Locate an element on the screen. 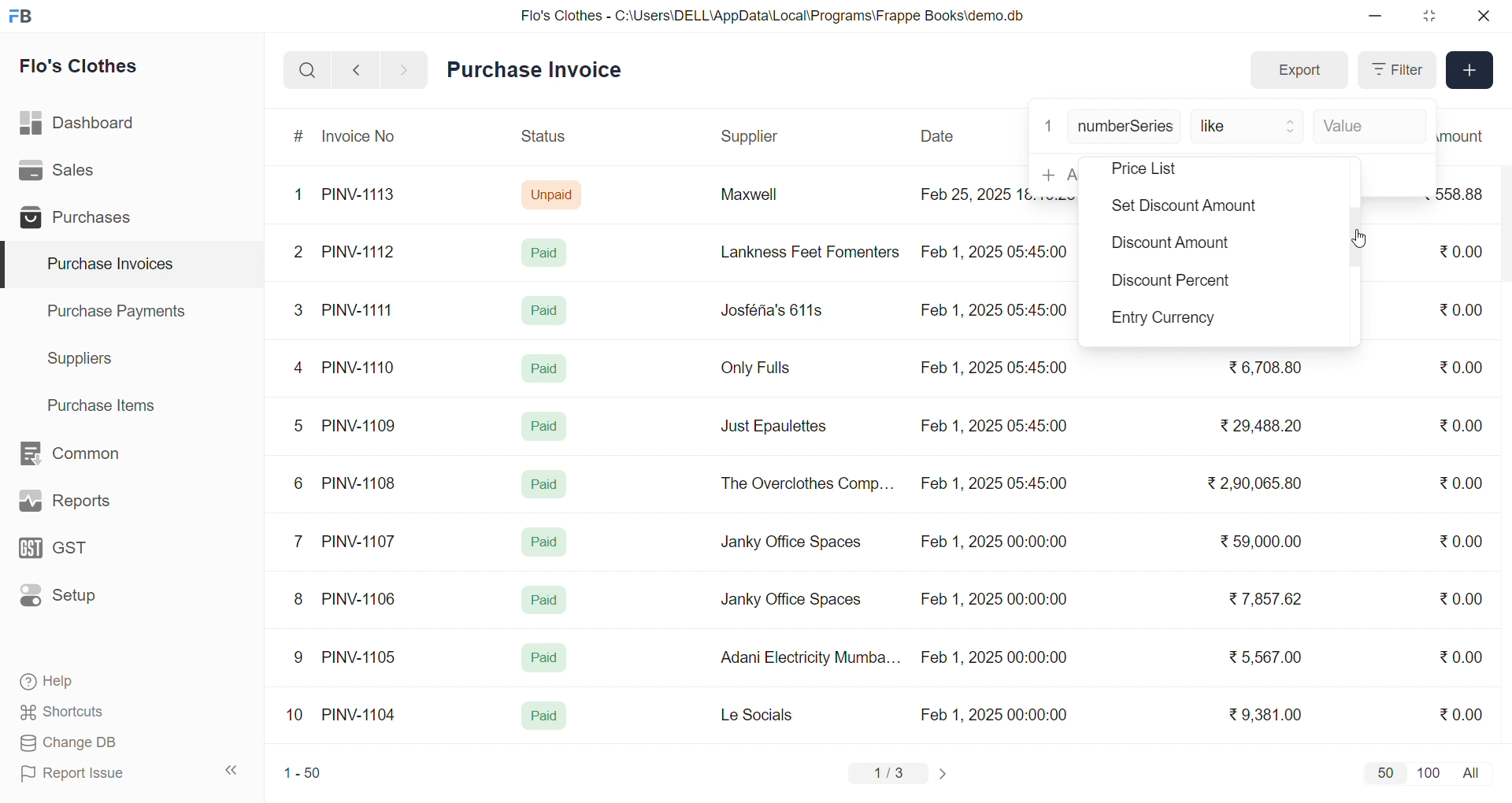  PINV-1105 is located at coordinates (362, 657).